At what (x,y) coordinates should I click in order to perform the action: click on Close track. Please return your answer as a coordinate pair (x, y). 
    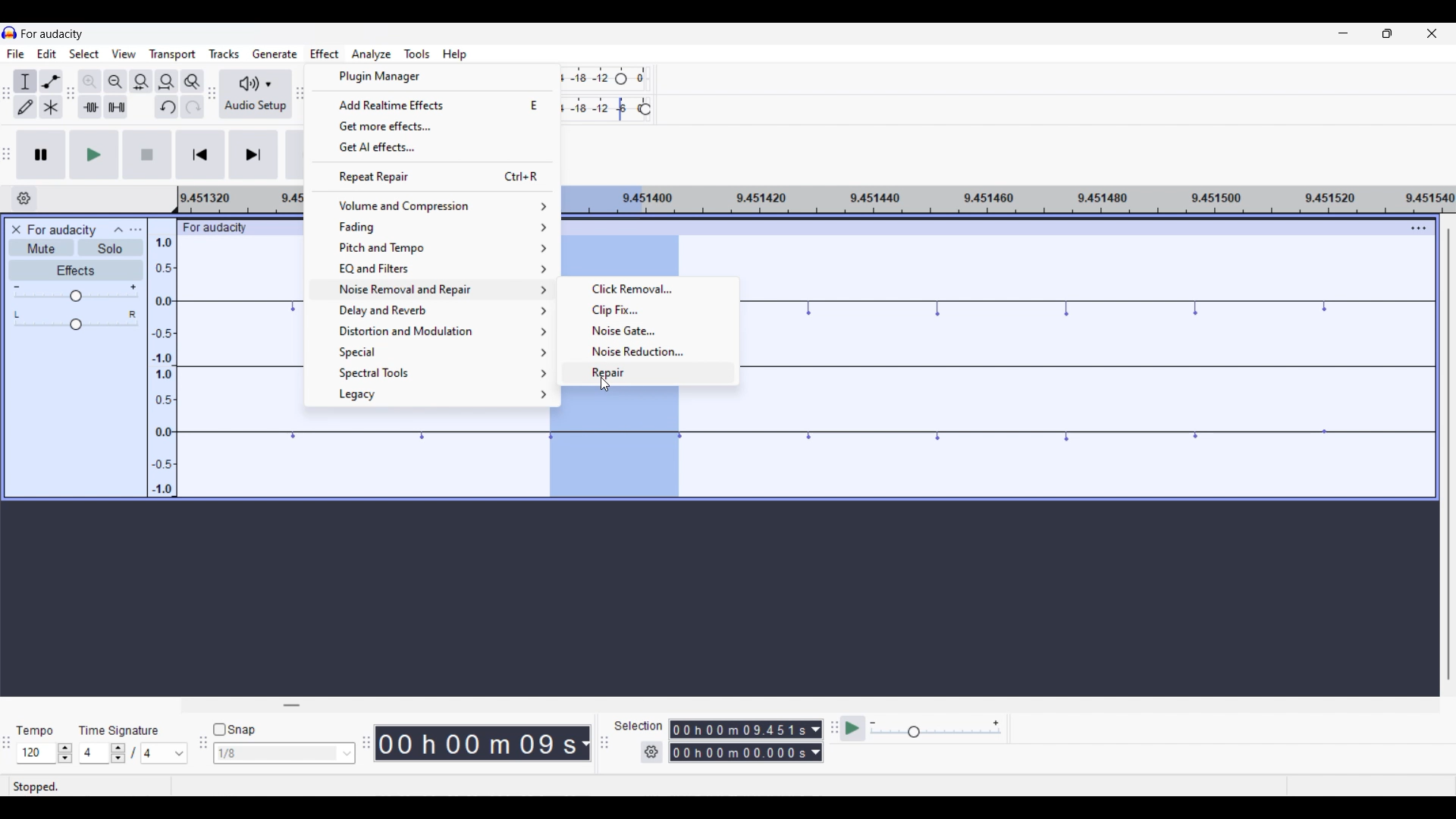
    Looking at the image, I should click on (17, 230).